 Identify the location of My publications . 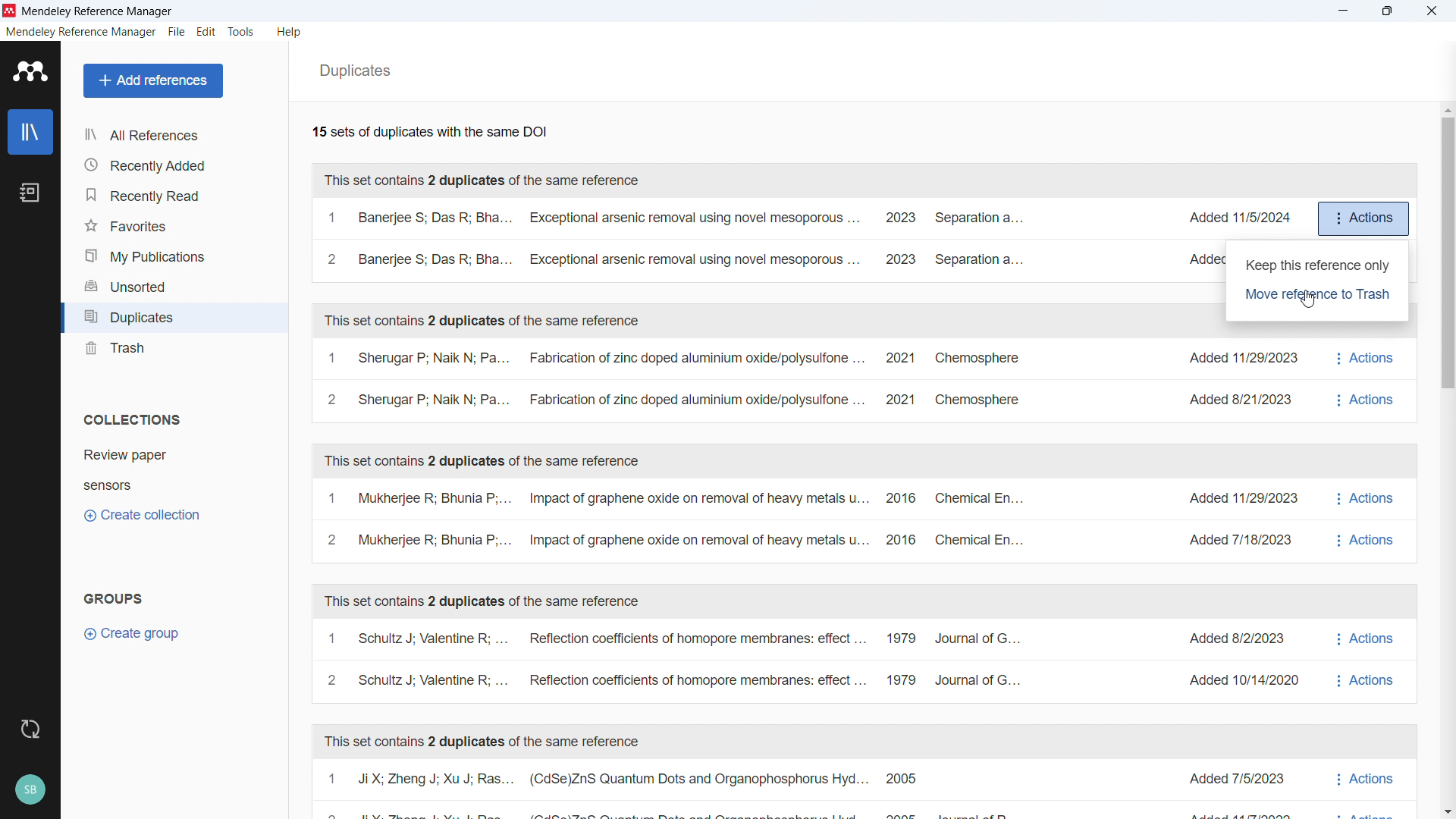
(173, 256).